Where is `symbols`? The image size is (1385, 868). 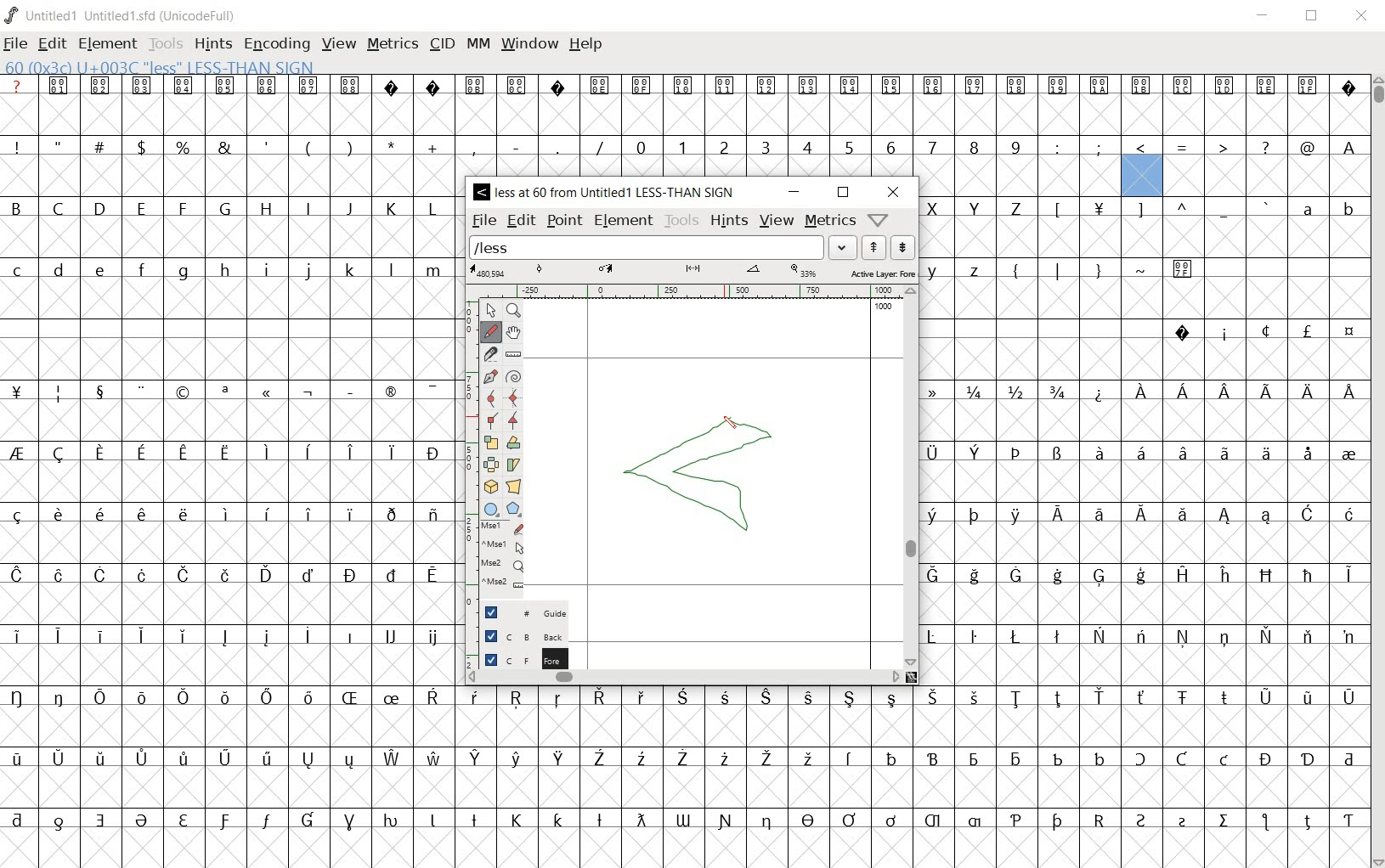
symbols is located at coordinates (1101, 268).